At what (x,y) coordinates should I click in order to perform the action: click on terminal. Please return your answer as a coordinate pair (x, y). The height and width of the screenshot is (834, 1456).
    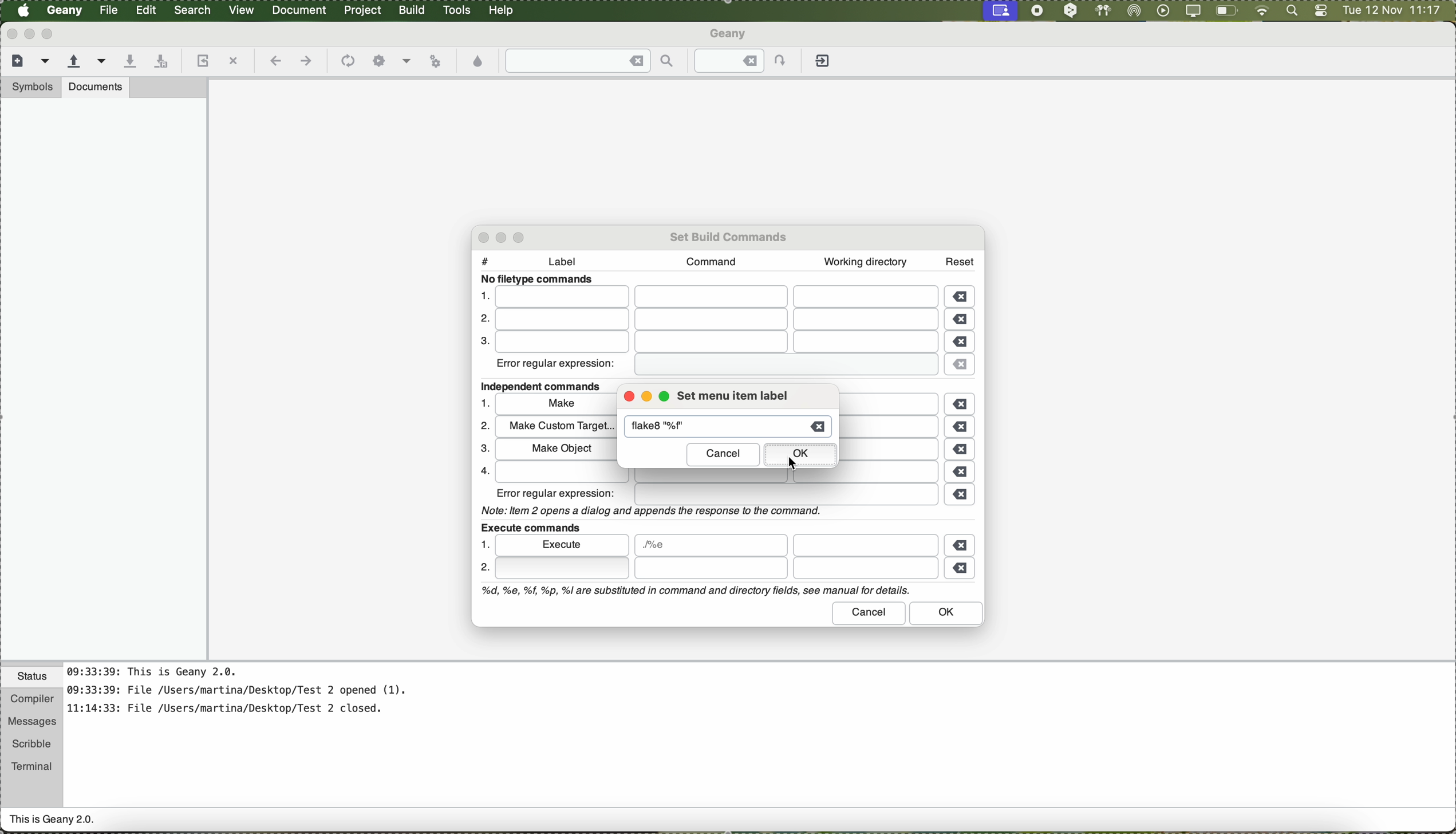
    Looking at the image, I should click on (32, 764).